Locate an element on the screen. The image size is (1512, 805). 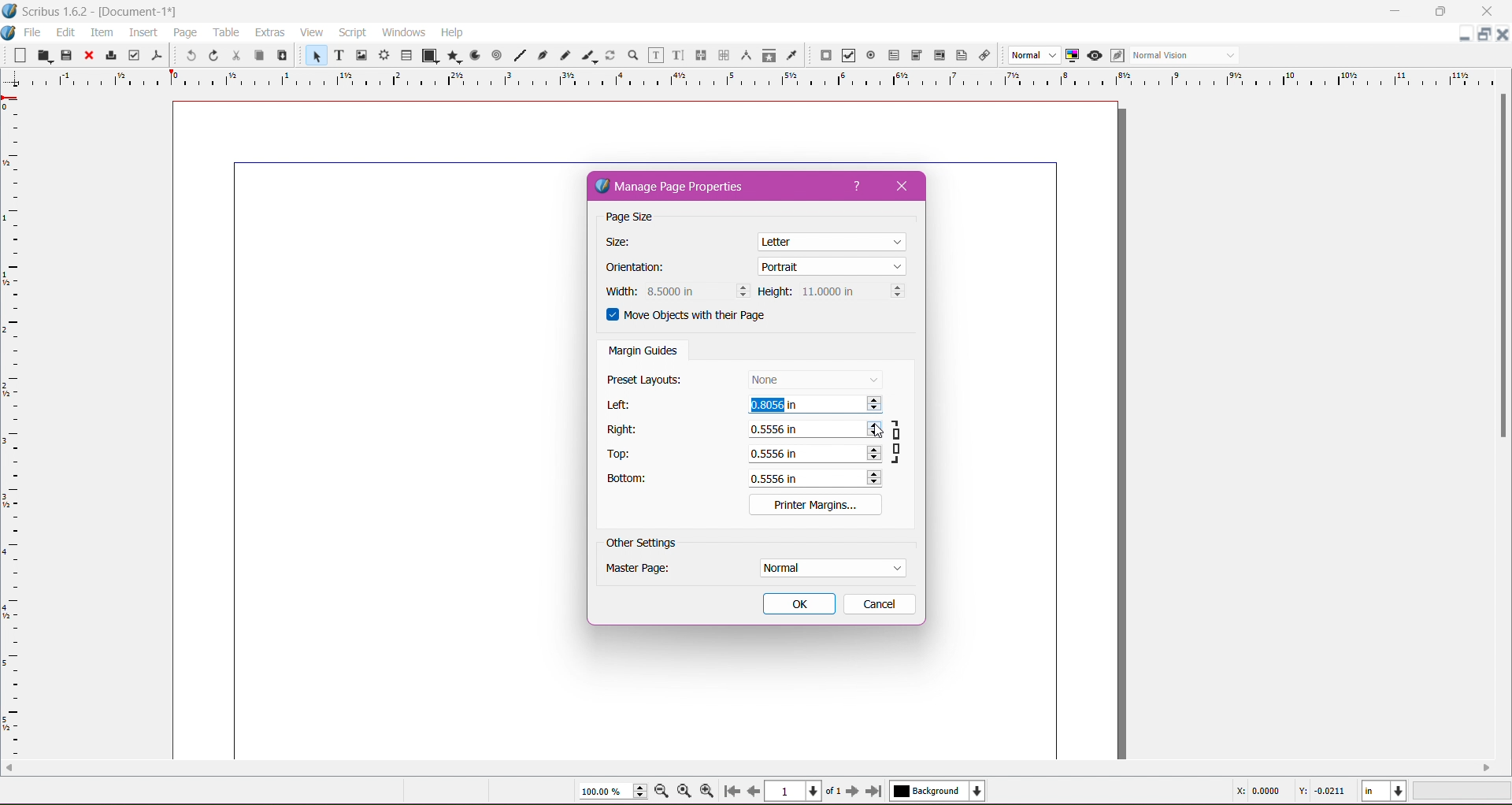
Master Page is located at coordinates (648, 571).